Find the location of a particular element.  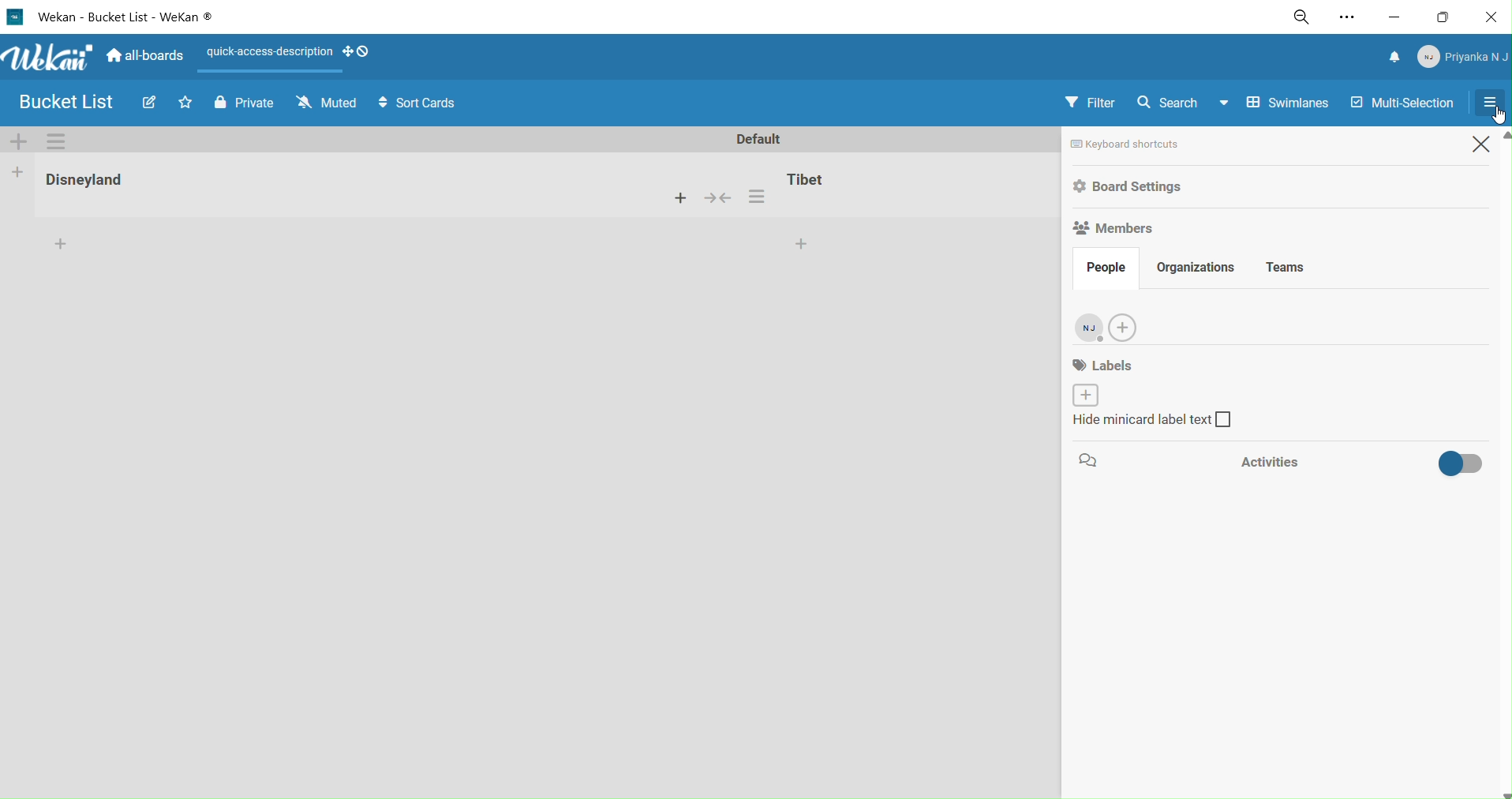

close is located at coordinates (1495, 18).